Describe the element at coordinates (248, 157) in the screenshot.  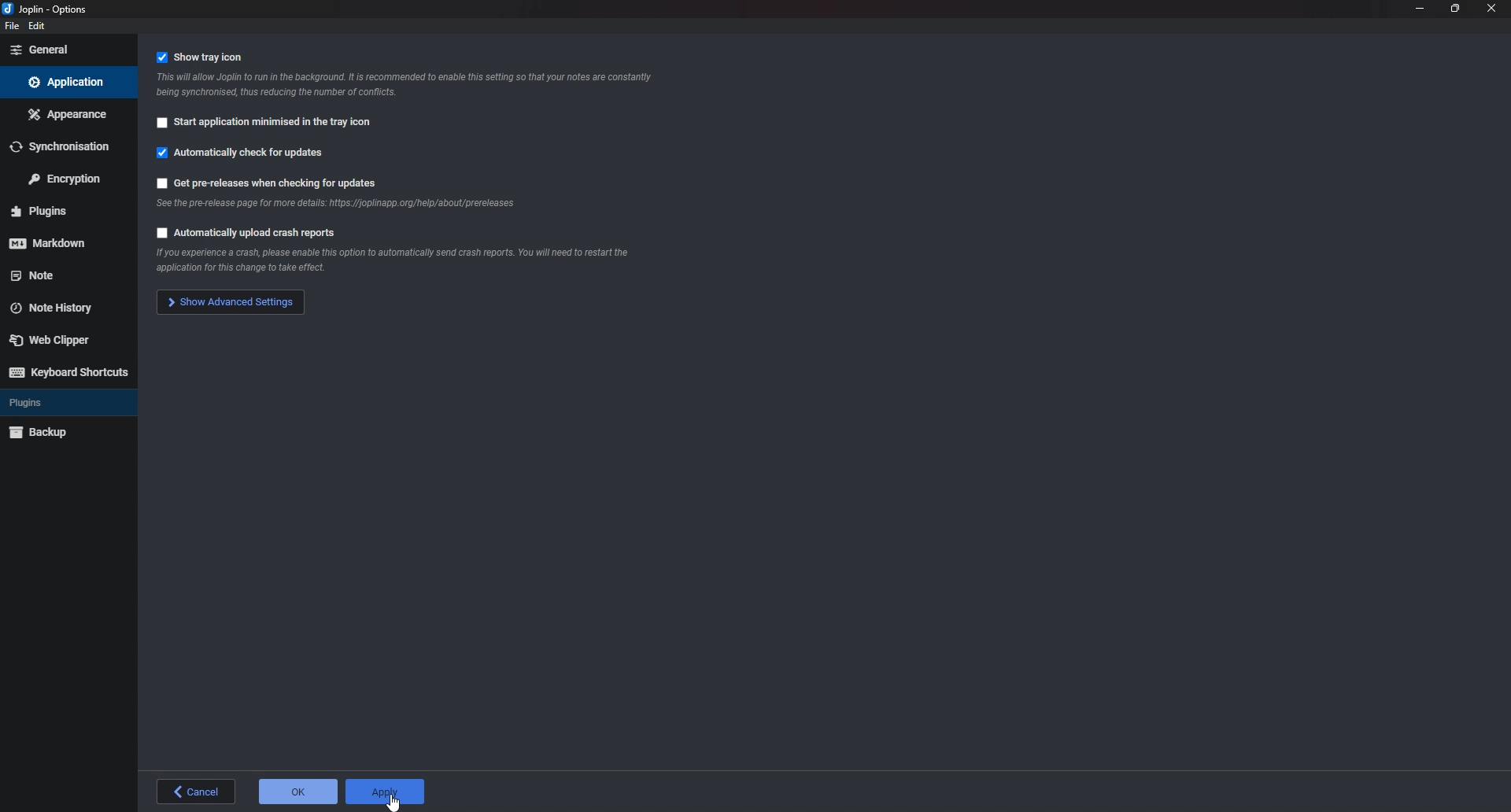
I see `Automatically check for updates` at that location.